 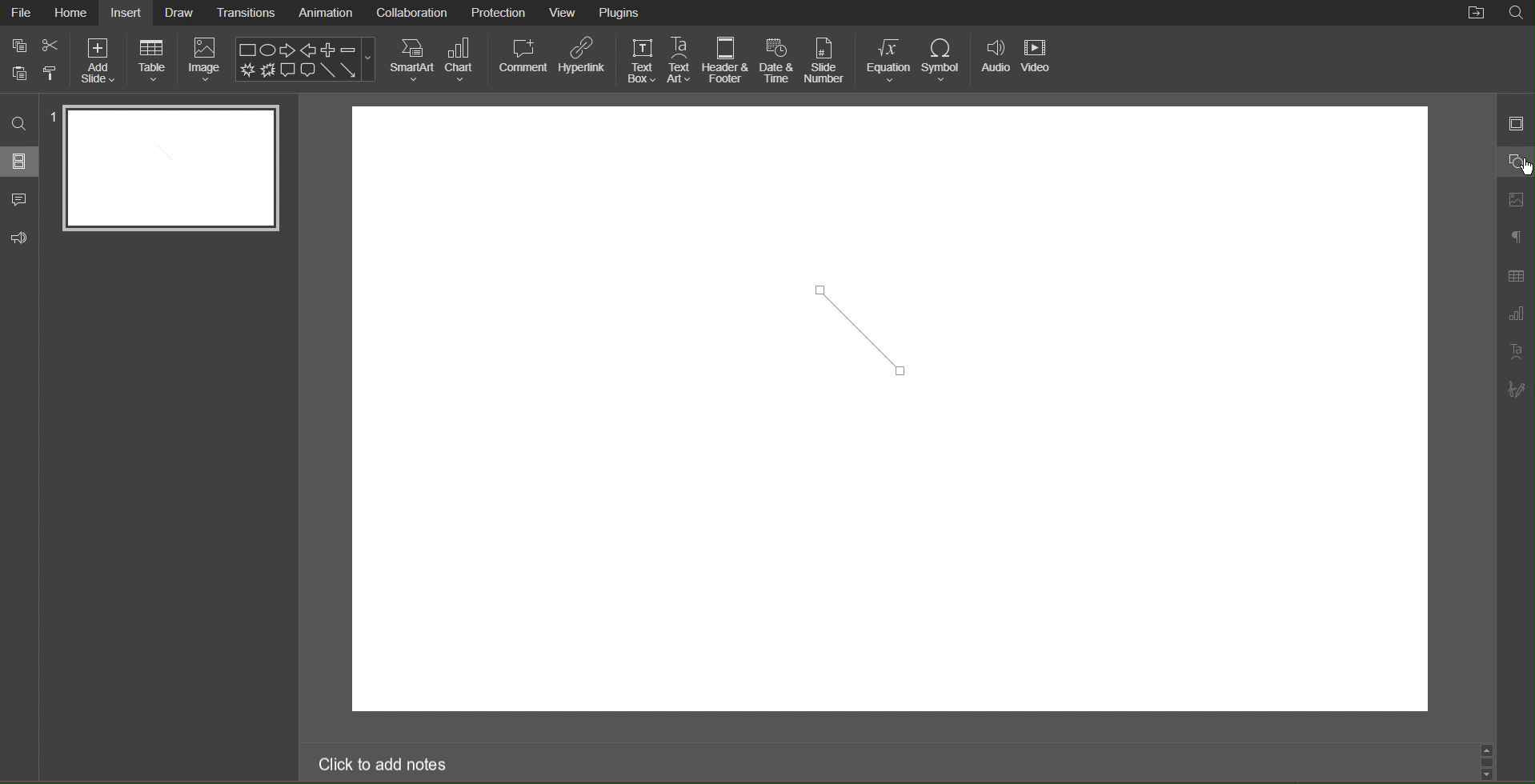 I want to click on Search, so click(x=20, y=124).